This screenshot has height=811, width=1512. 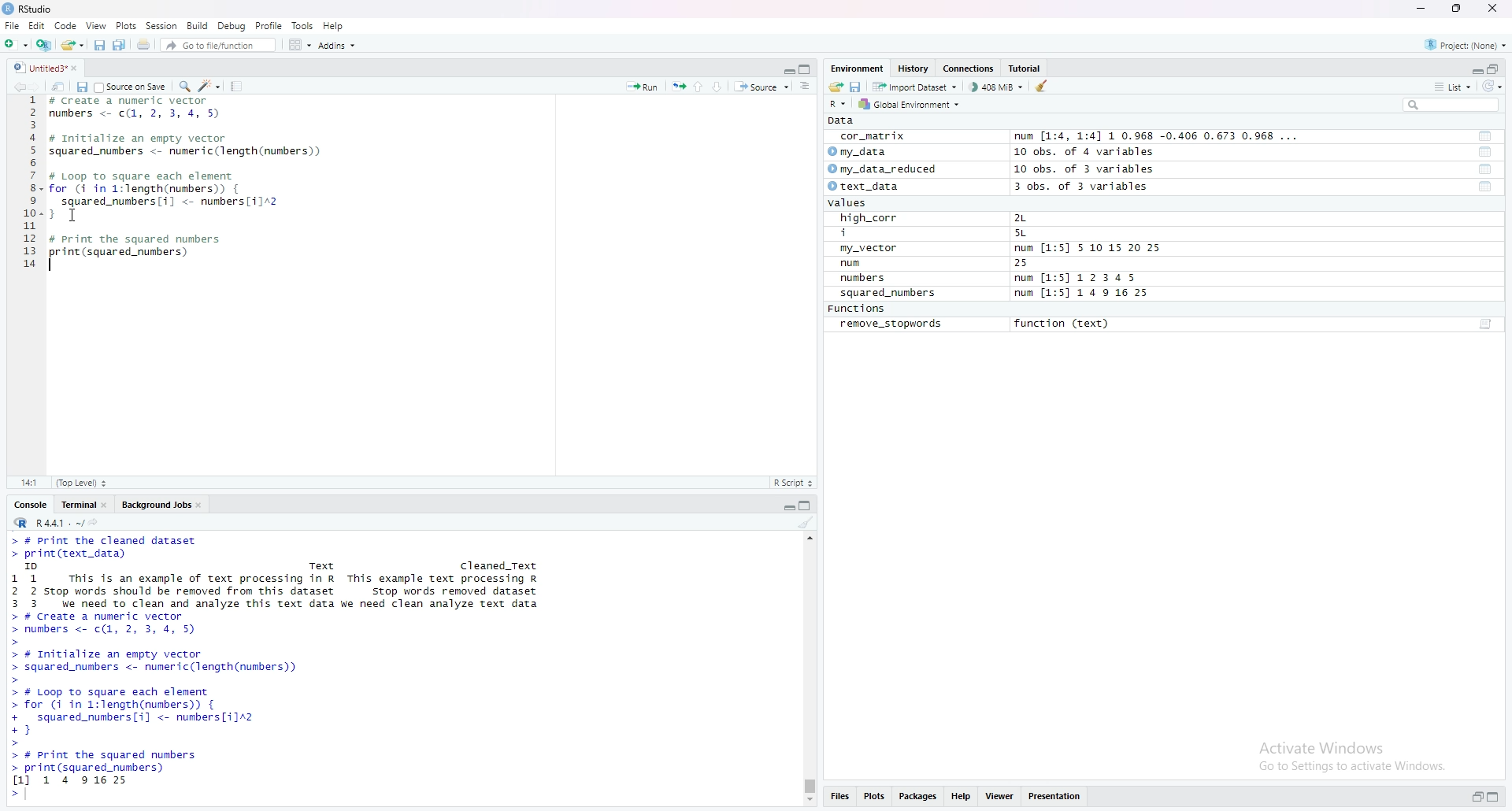 What do you see at coordinates (845, 120) in the screenshot?
I see `pata` at bounding box center [845, 120].